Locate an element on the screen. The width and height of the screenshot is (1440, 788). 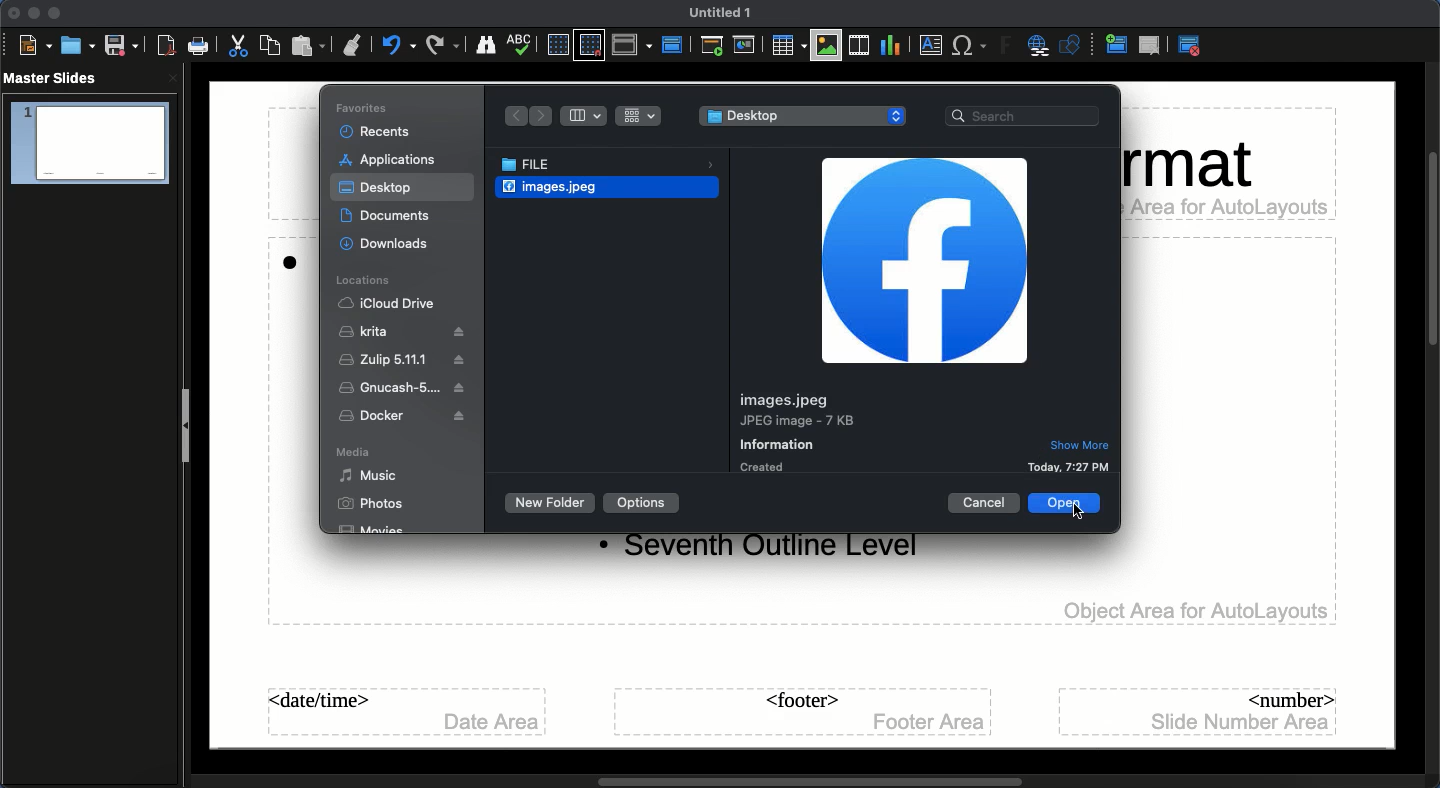
First slide is located at coordinates (714, 46).